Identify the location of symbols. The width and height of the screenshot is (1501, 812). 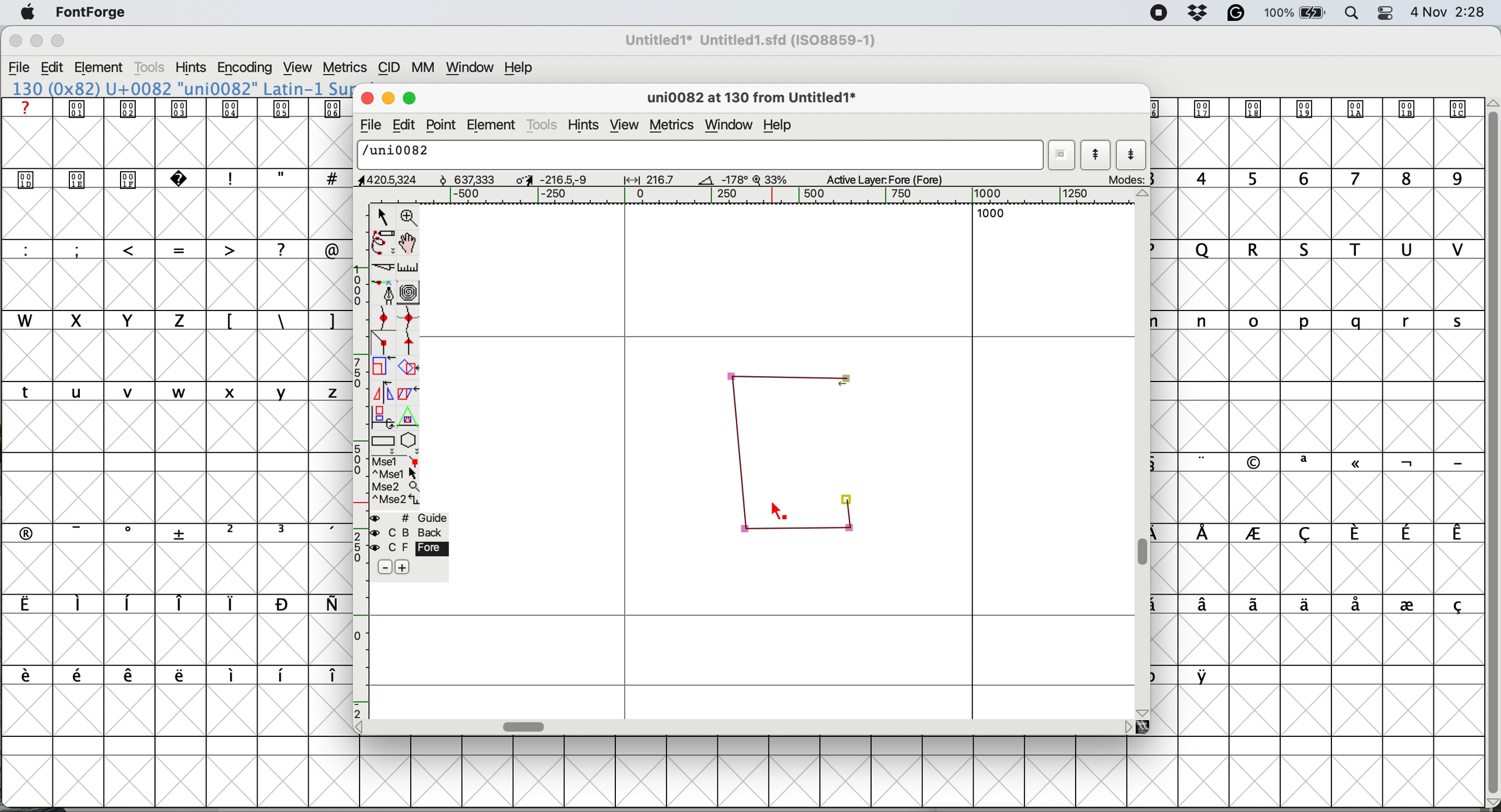
(281, 322).